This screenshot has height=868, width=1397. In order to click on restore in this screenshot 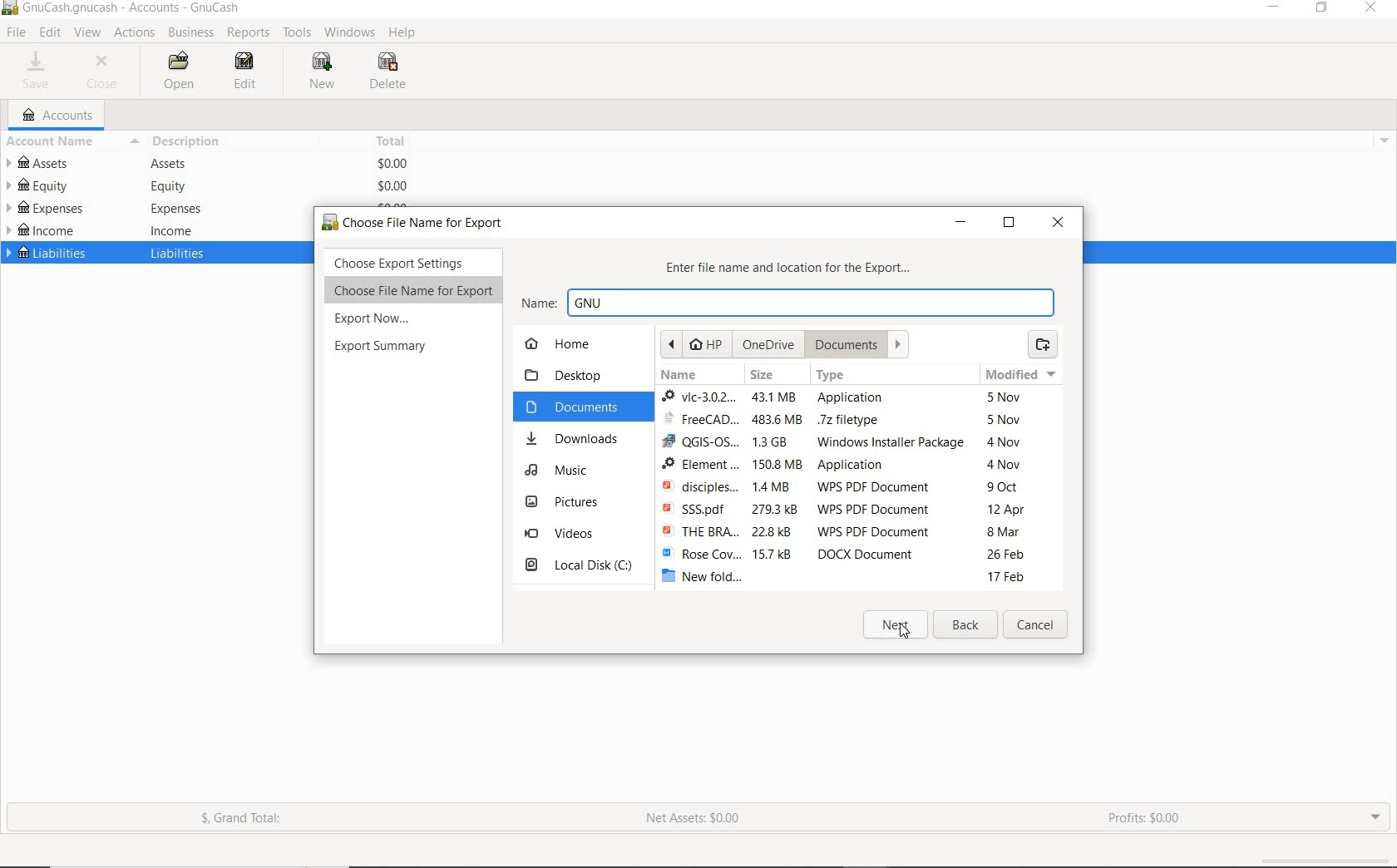, I will do `click(1011, 221)`.